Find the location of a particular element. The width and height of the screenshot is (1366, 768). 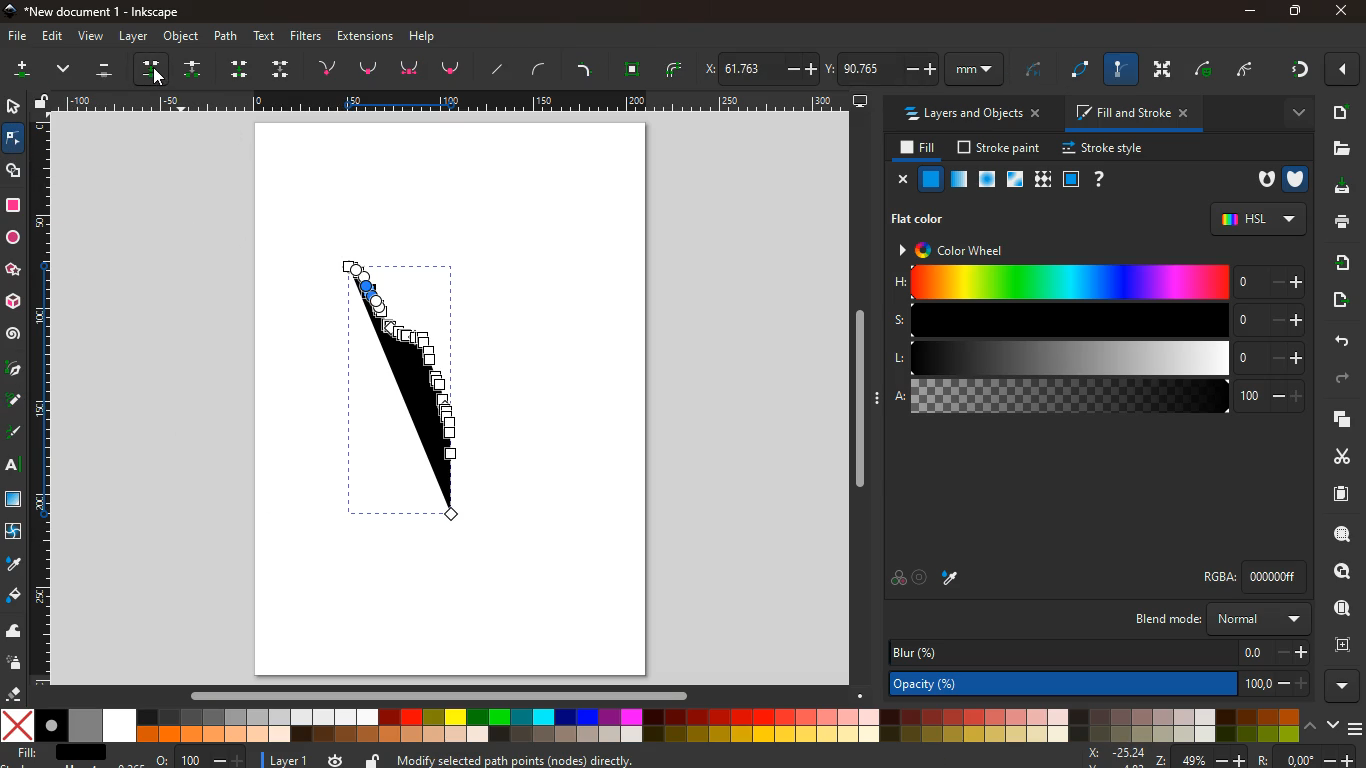

more is located at coordinates (1346, 686).